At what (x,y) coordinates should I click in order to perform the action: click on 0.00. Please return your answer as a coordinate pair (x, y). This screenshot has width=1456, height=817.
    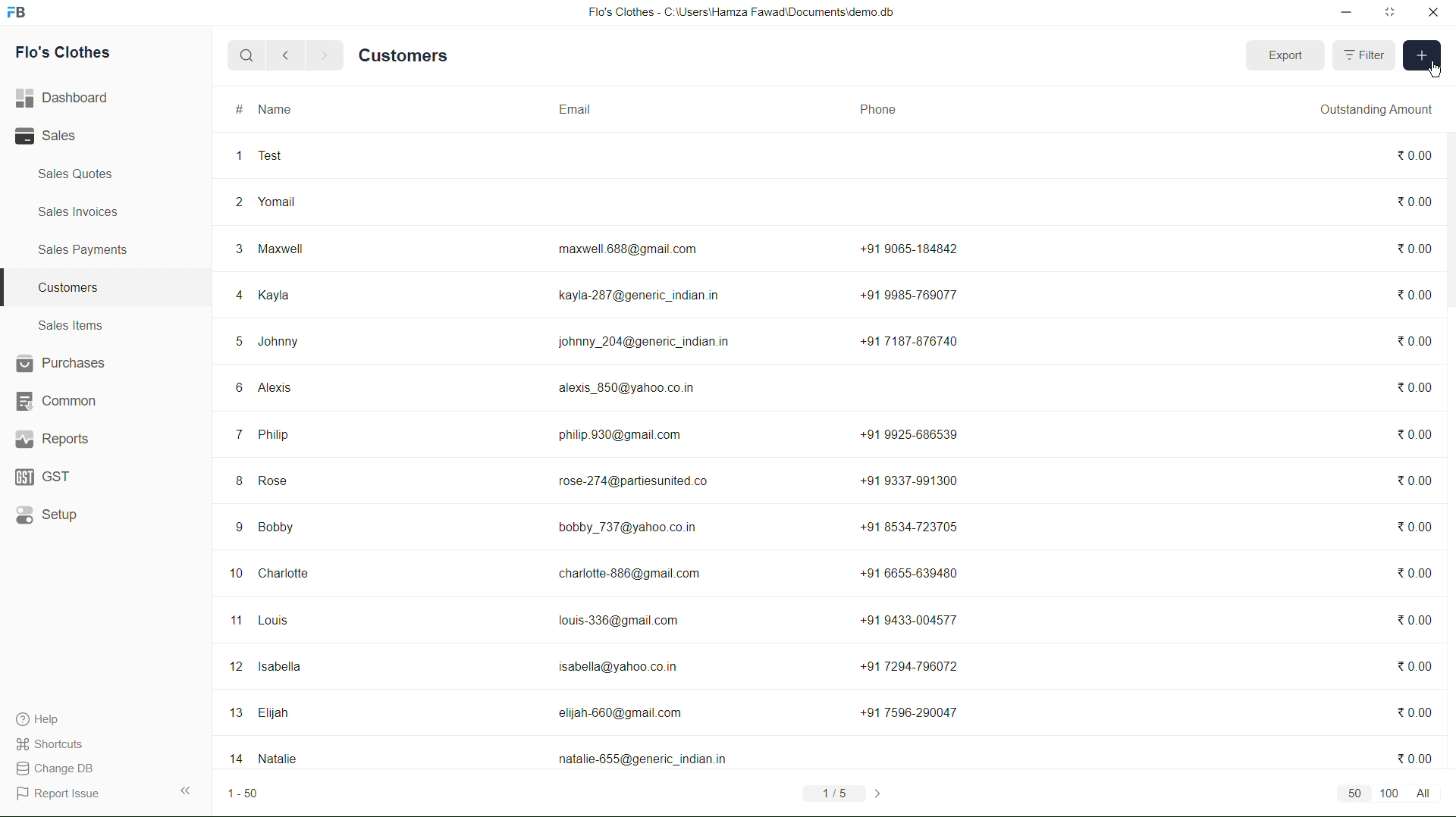
    Looking at the image, I should click on (1414, 665).